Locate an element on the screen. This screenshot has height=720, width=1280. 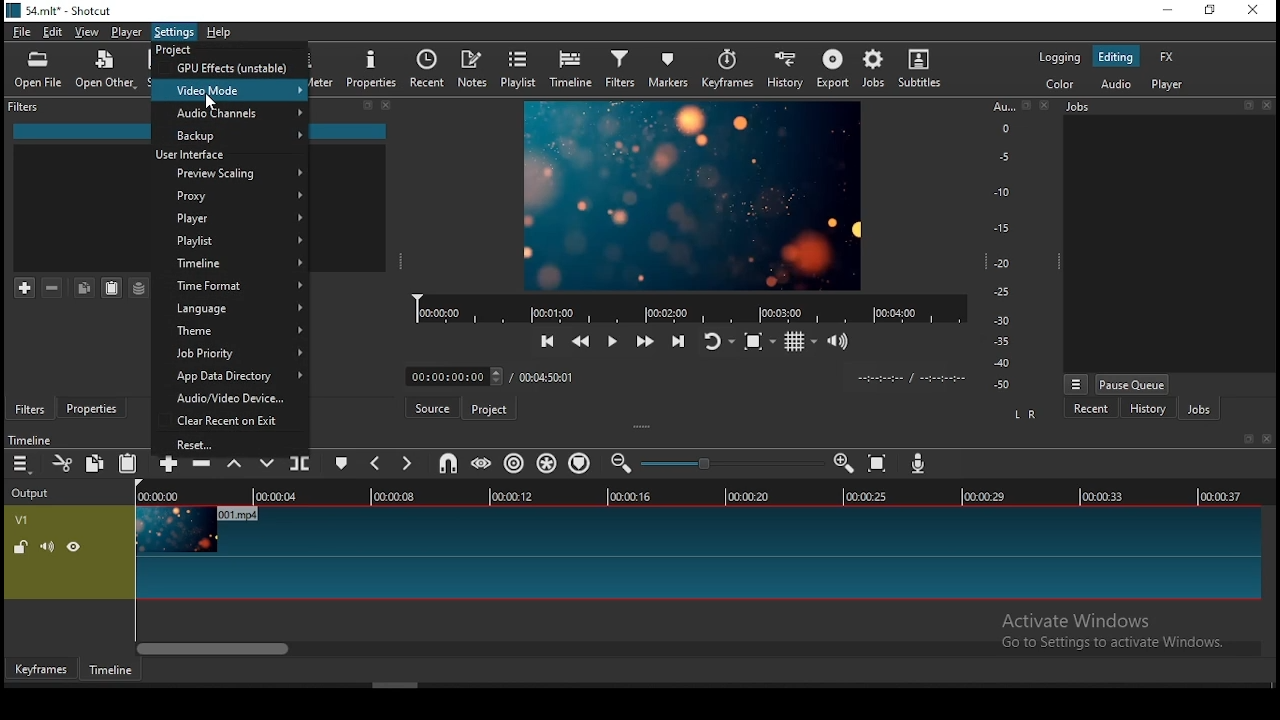
toggle zoo is located at coordinates (759, 340).